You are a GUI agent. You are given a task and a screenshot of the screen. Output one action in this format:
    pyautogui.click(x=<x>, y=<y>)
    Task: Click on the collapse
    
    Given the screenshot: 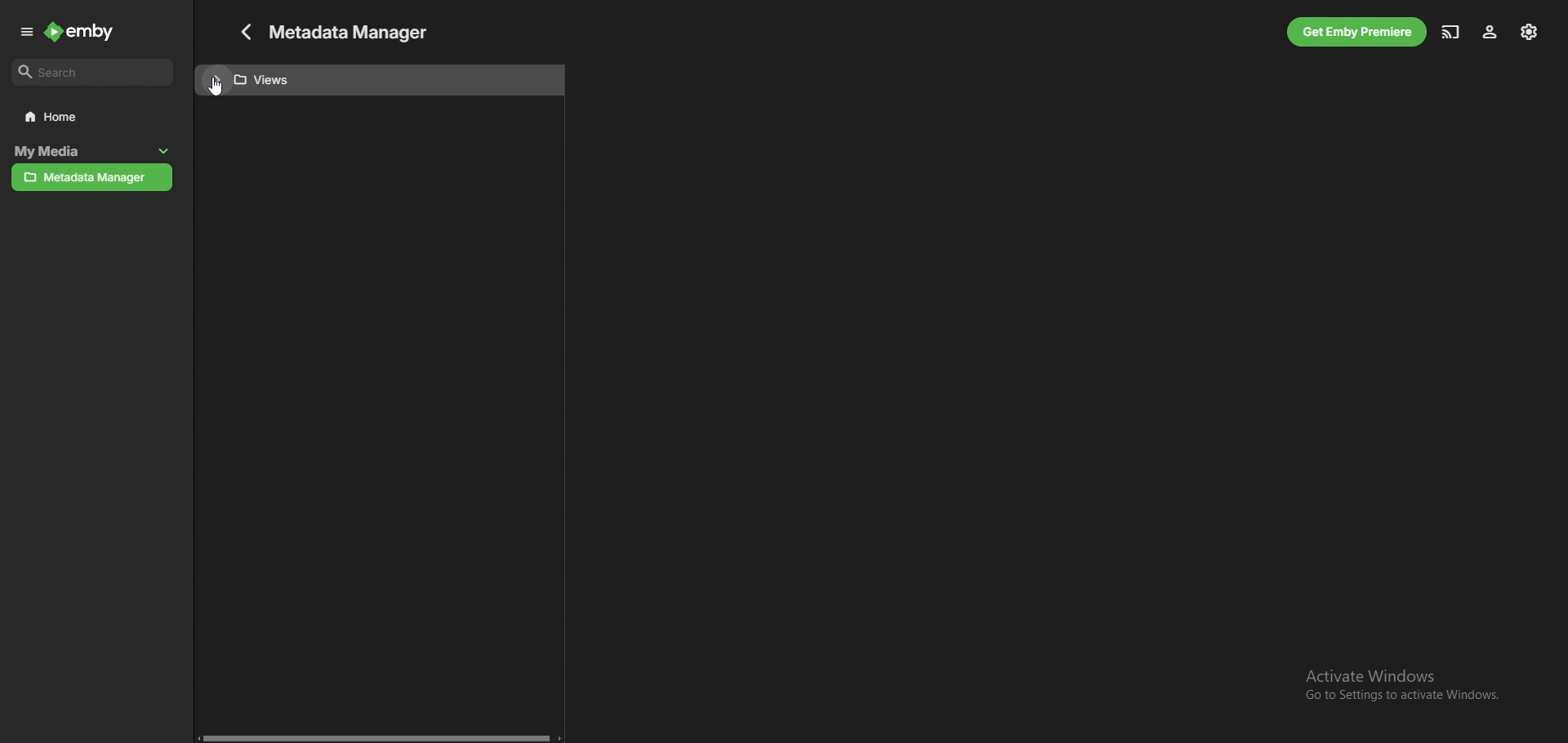 What is the action you would take?
    pyautogui.click(x=164, y=152)
    